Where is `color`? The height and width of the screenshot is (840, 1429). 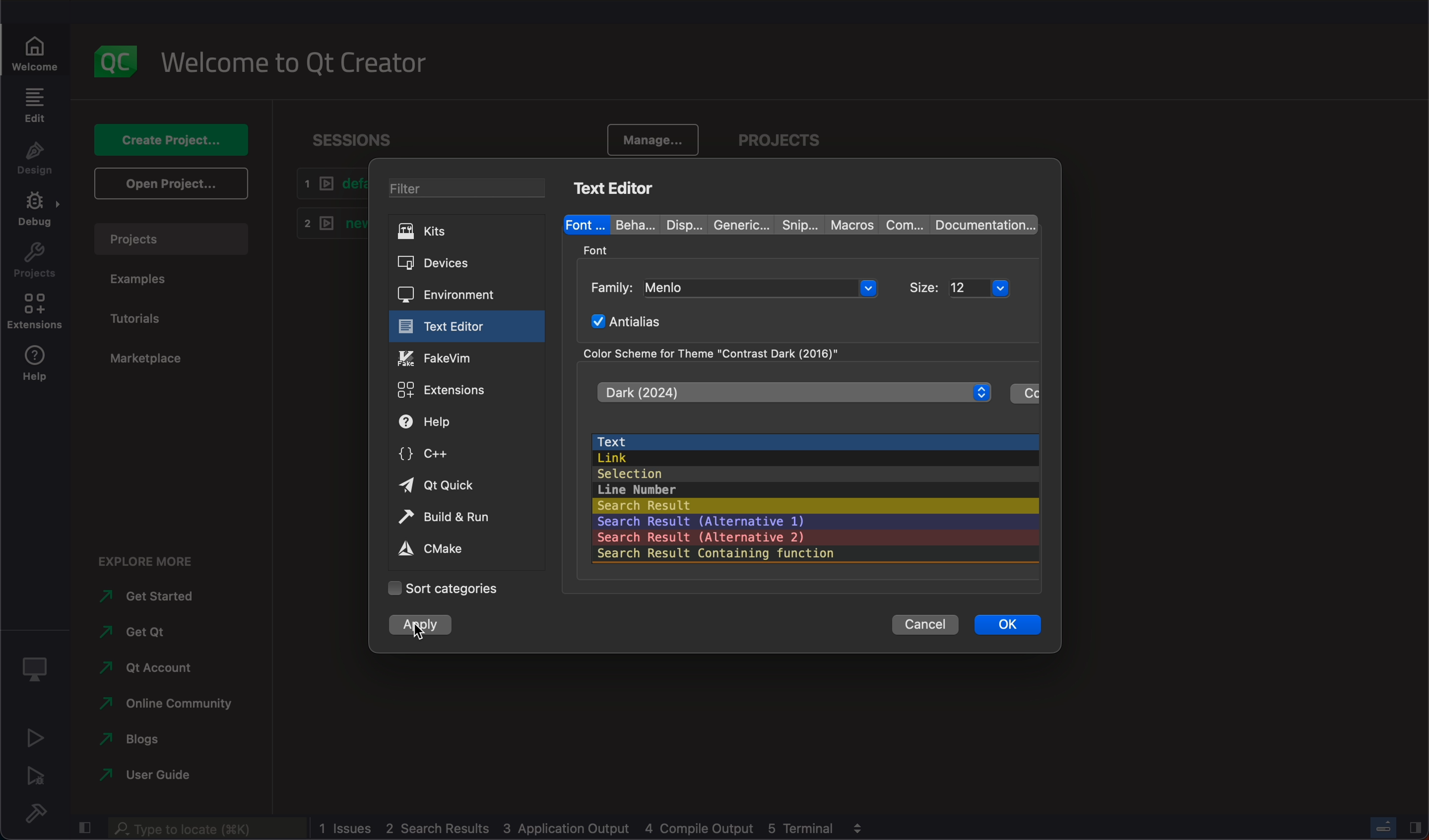
color is located at coordinates (1025, 394).